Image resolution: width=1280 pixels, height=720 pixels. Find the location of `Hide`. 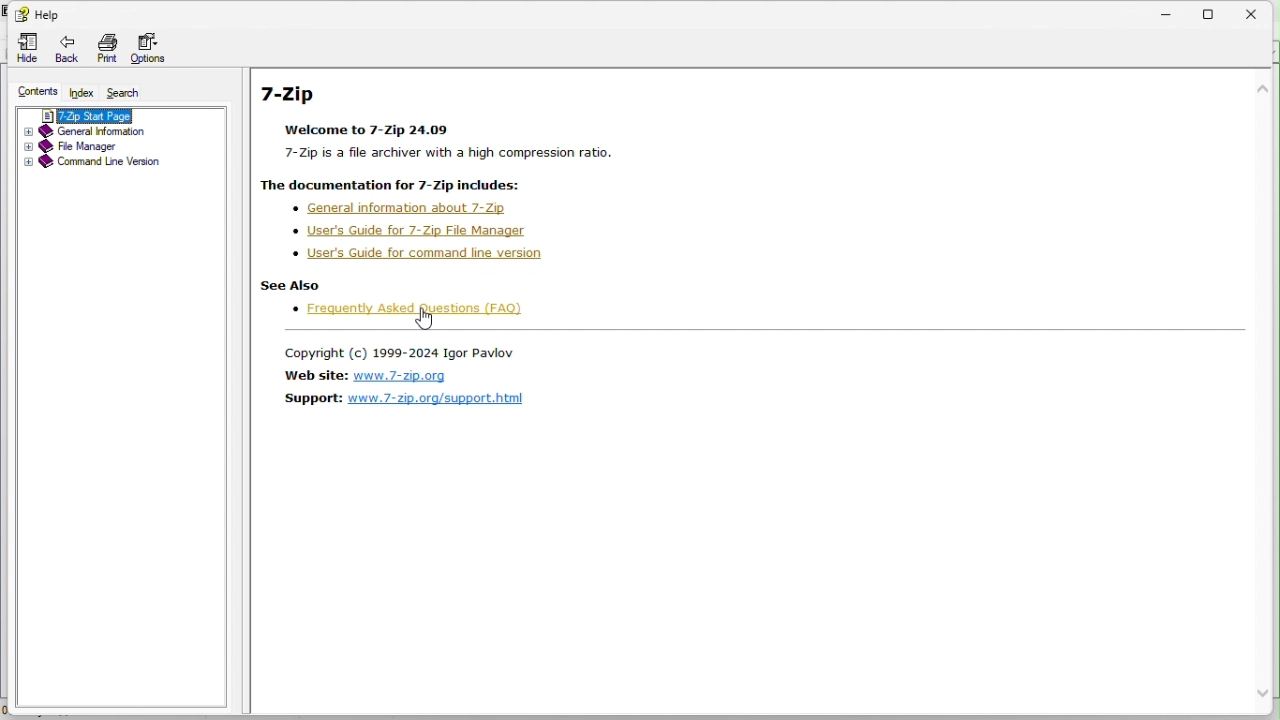

Hide is located at coordinates (19, 48).